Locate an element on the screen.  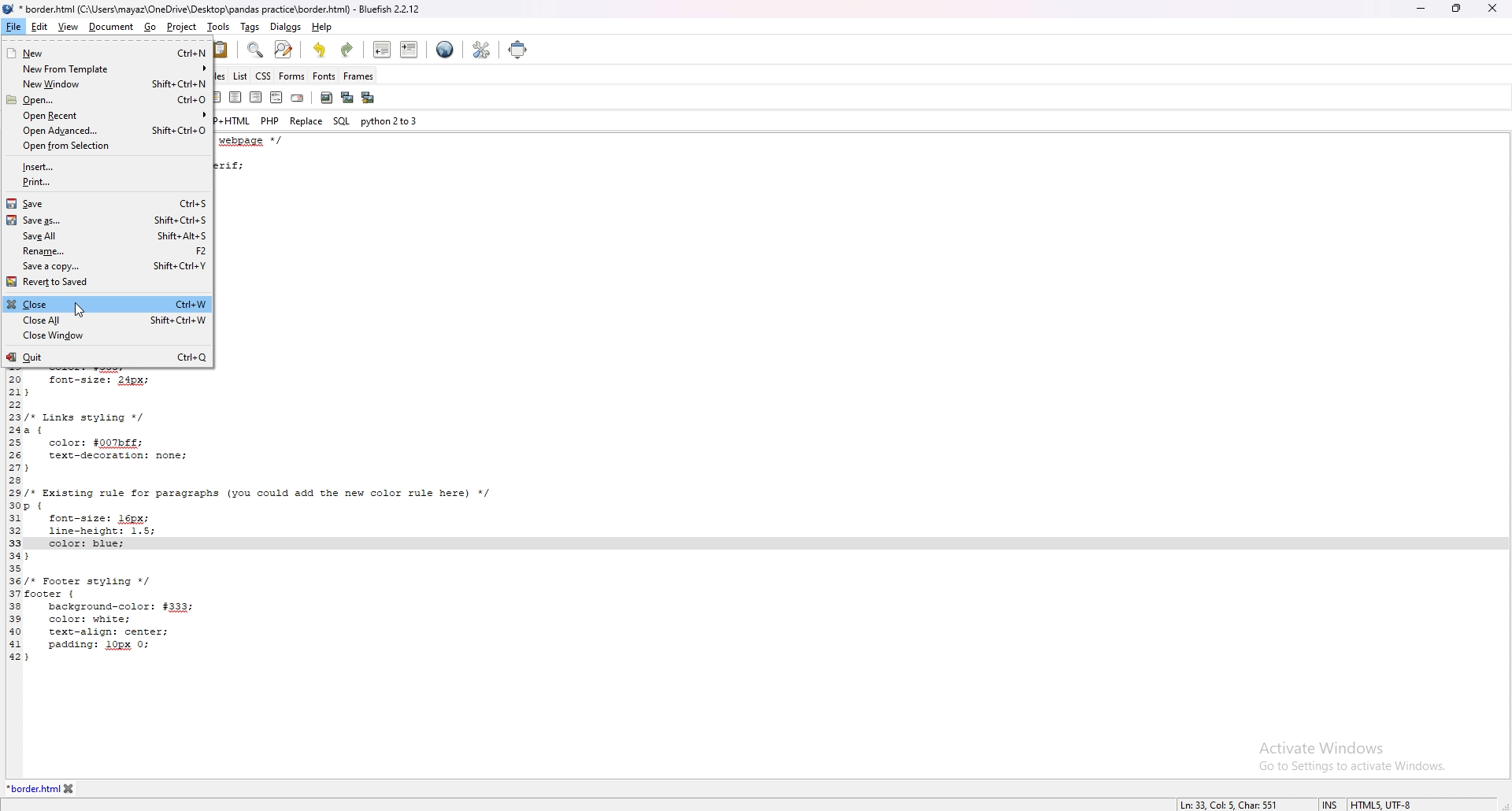
new from template is located at coordinates (109, 69).